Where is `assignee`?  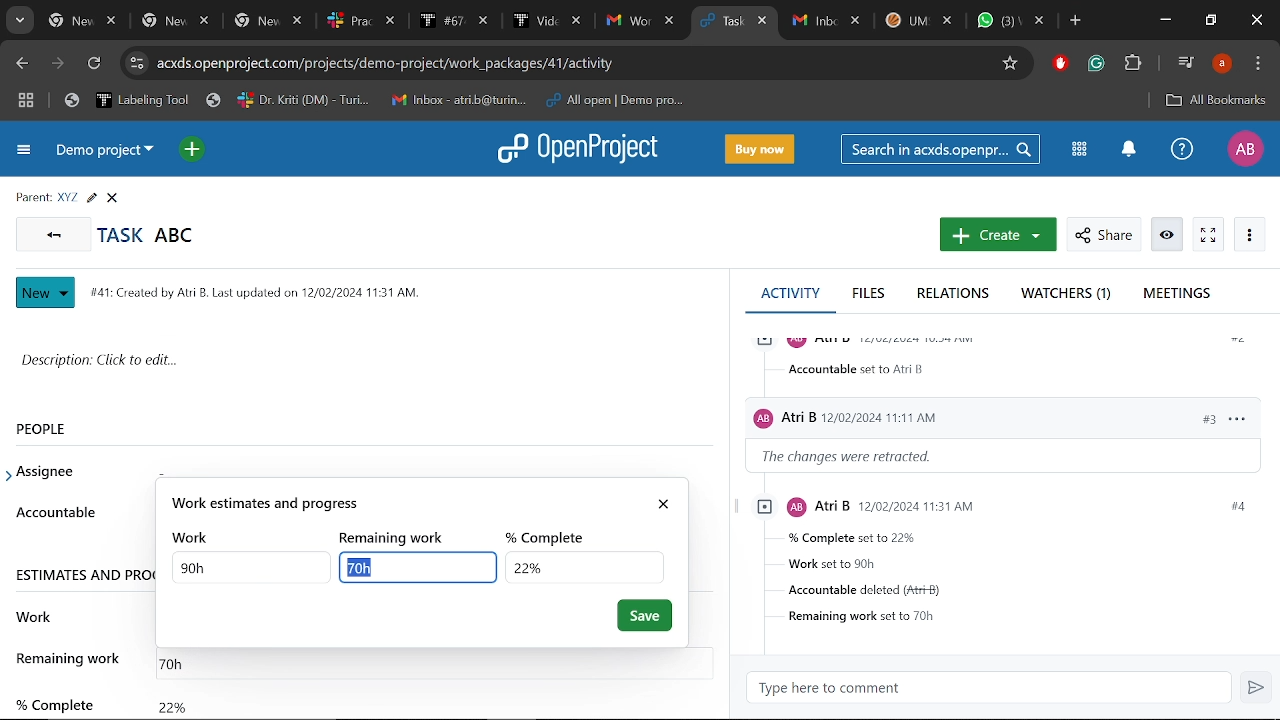 assignee is located at coordinates (51, 472).